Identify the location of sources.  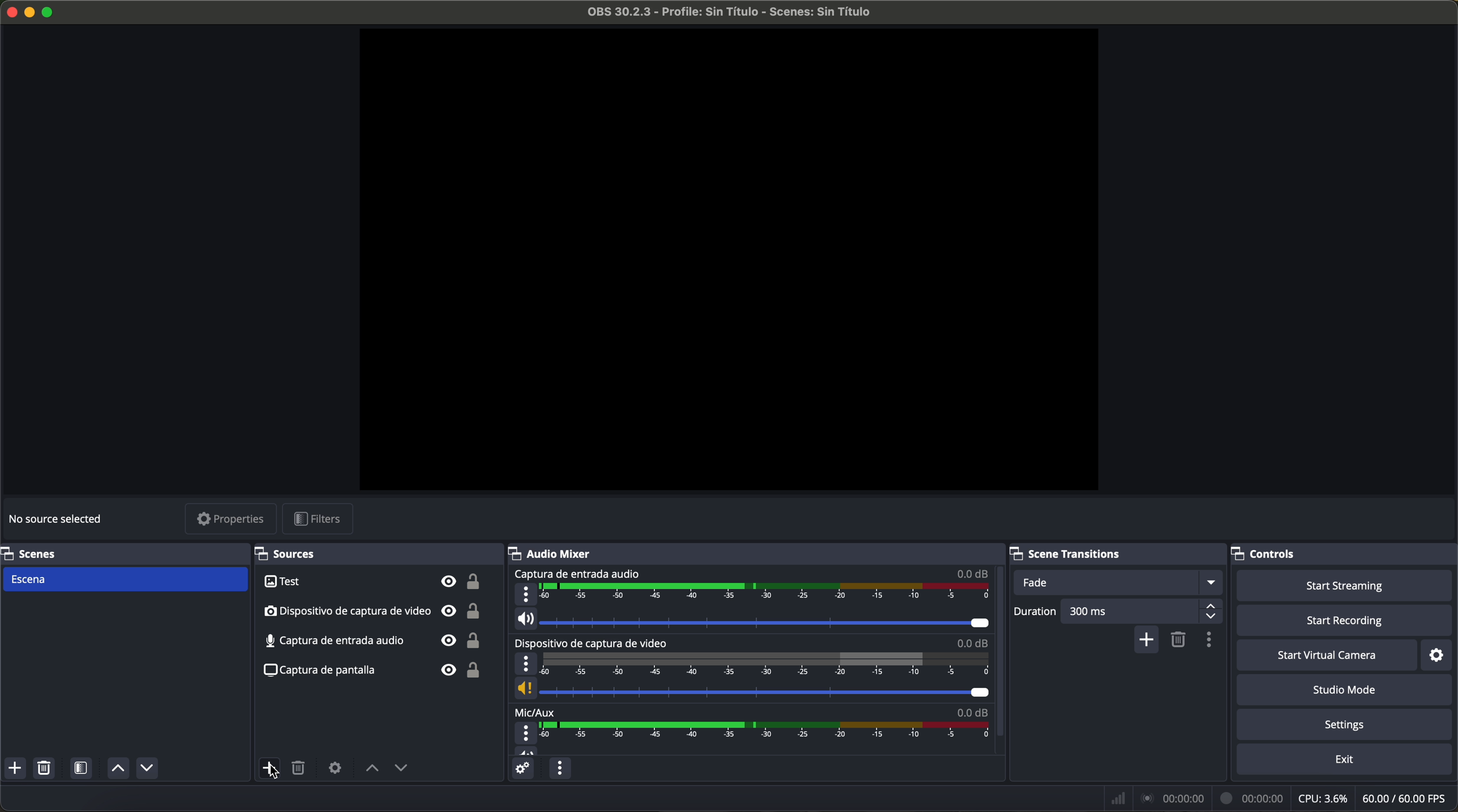
(294, 553).